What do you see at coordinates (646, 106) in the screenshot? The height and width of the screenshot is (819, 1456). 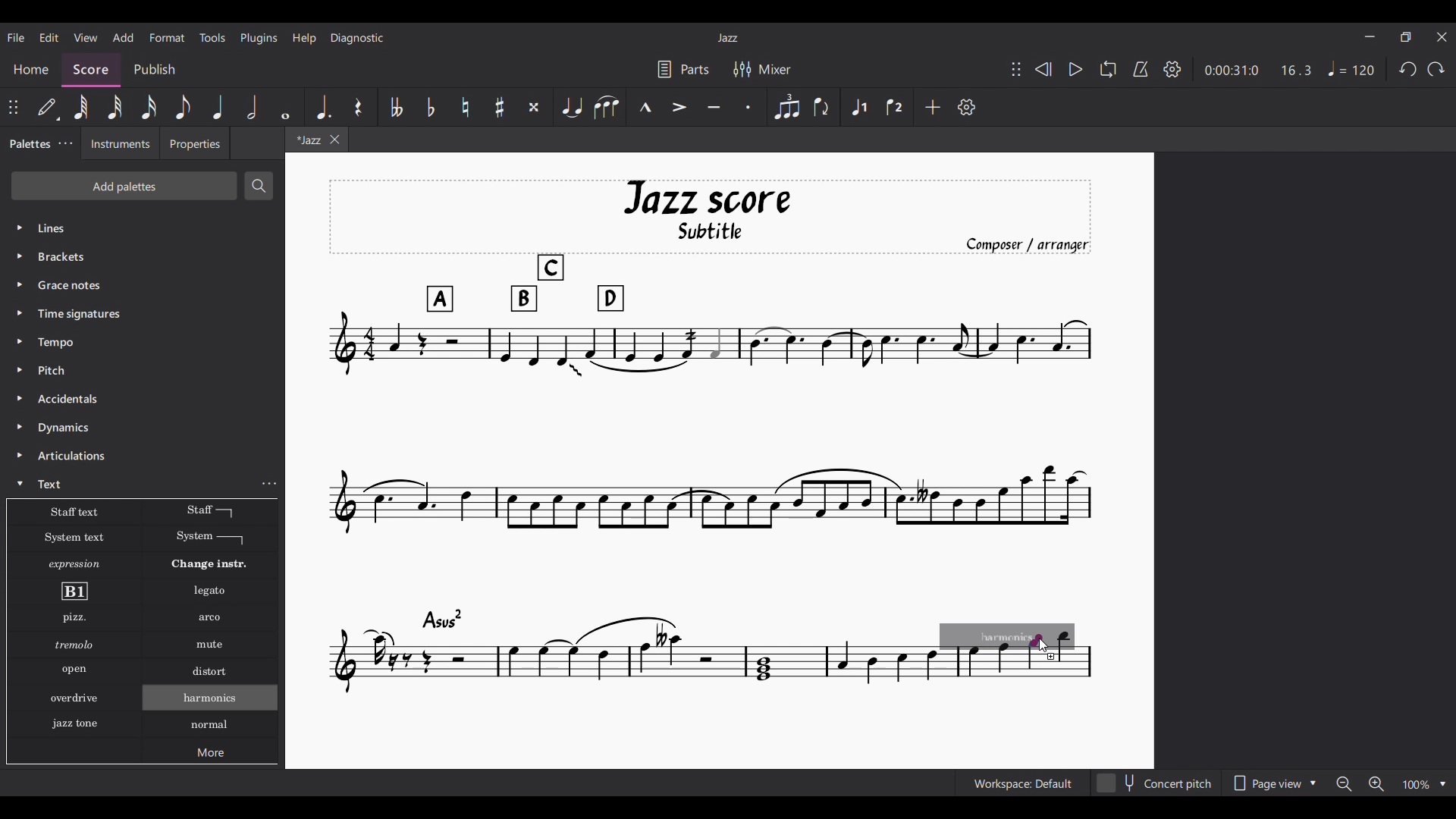 I see `Marcato` at bounding box center [646, 106].